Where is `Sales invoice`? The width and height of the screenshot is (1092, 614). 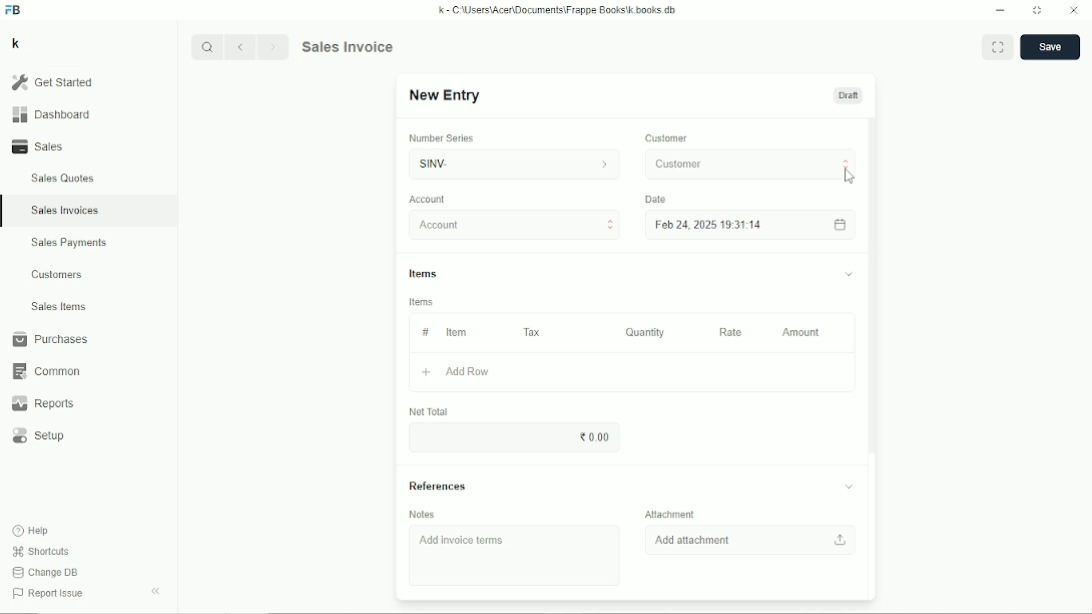
Sales invoice is located at coordinates (347, 46).